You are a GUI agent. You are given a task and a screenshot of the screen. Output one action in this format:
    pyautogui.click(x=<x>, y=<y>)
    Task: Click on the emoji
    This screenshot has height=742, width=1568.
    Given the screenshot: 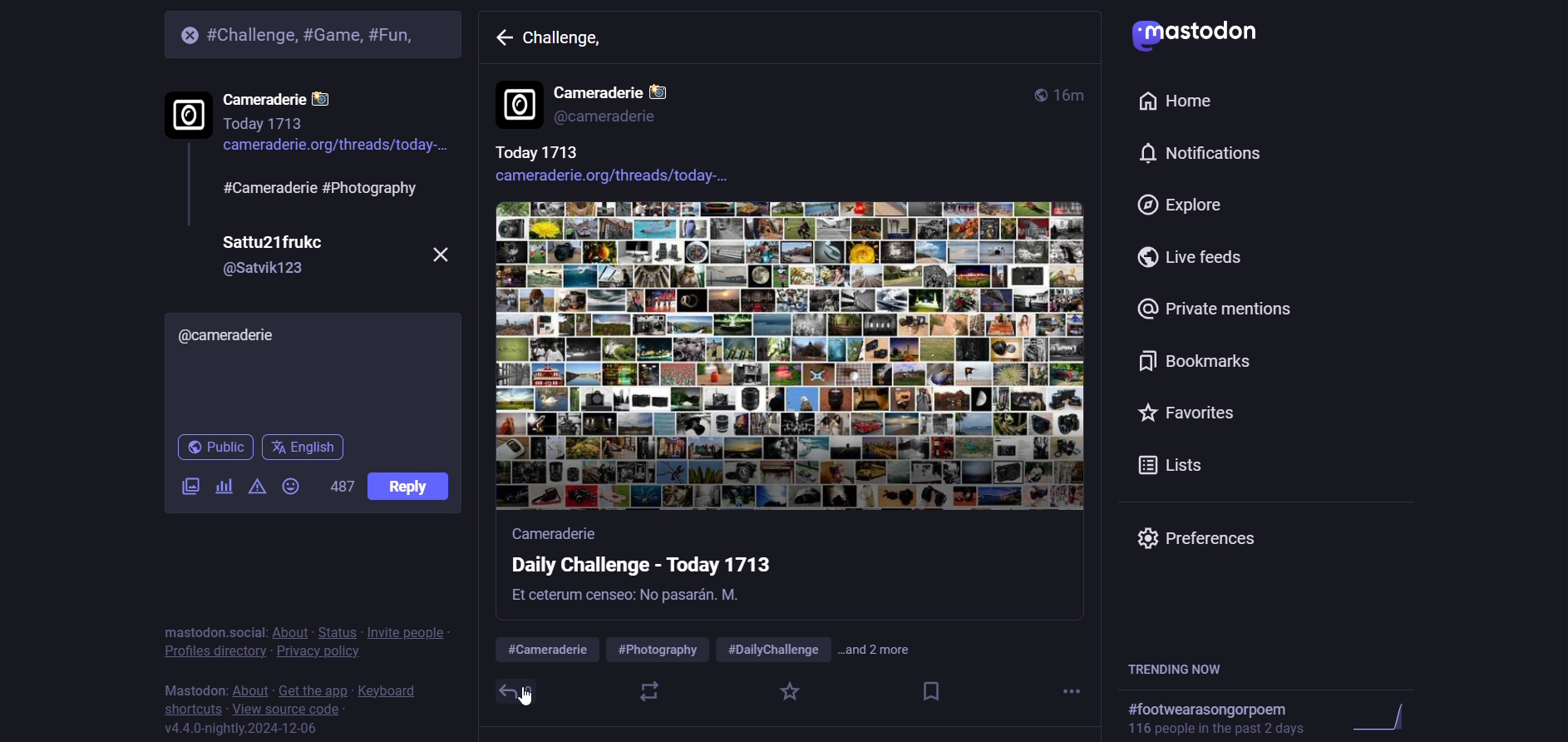 What is the action you would take?
    pyautogui.click(x=294, y=484)
    